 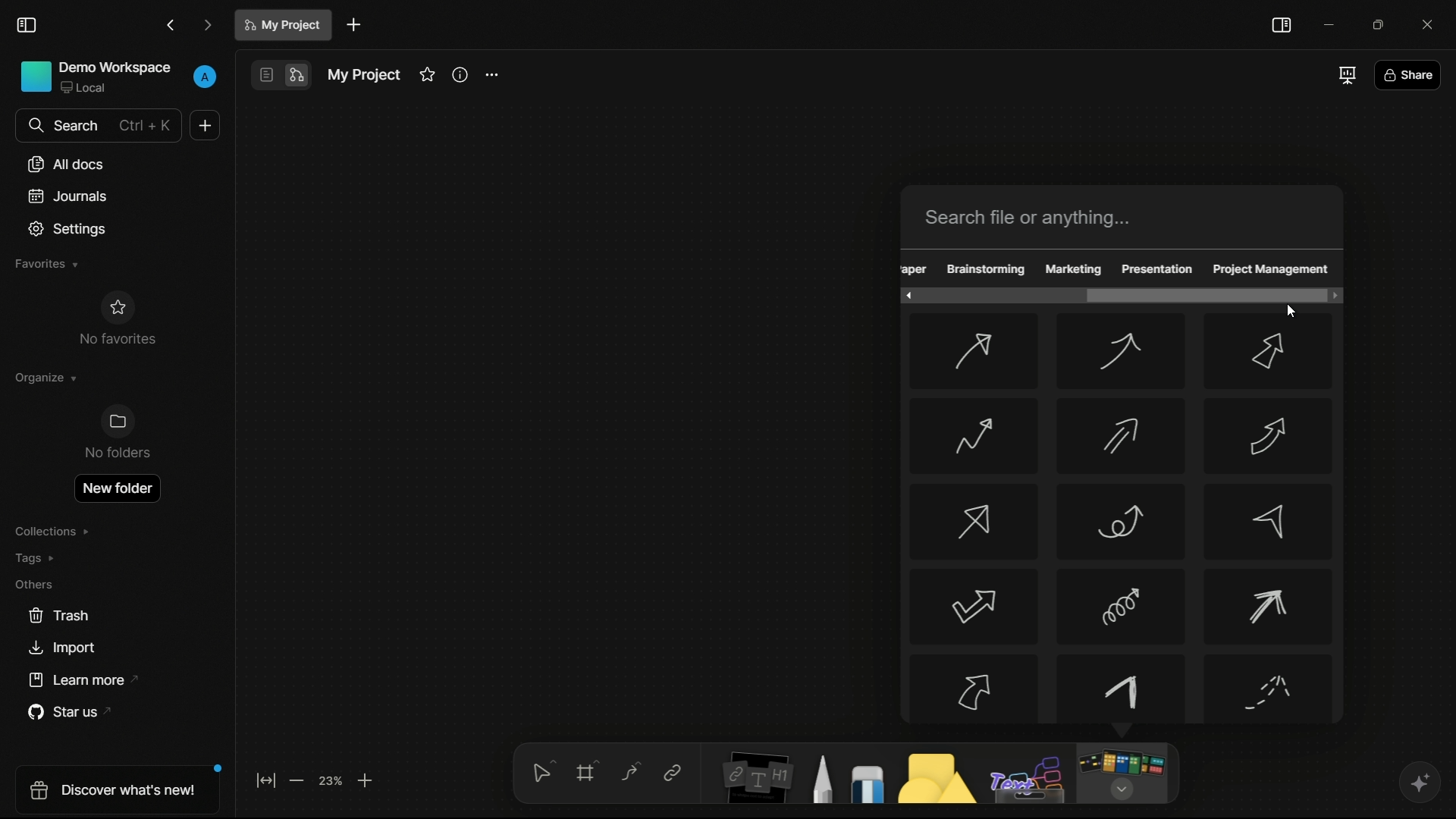 What do you see at coordinates (1122, 606) in the screenshot?
I see `arrow-11` at bounding box center [1122, 606].